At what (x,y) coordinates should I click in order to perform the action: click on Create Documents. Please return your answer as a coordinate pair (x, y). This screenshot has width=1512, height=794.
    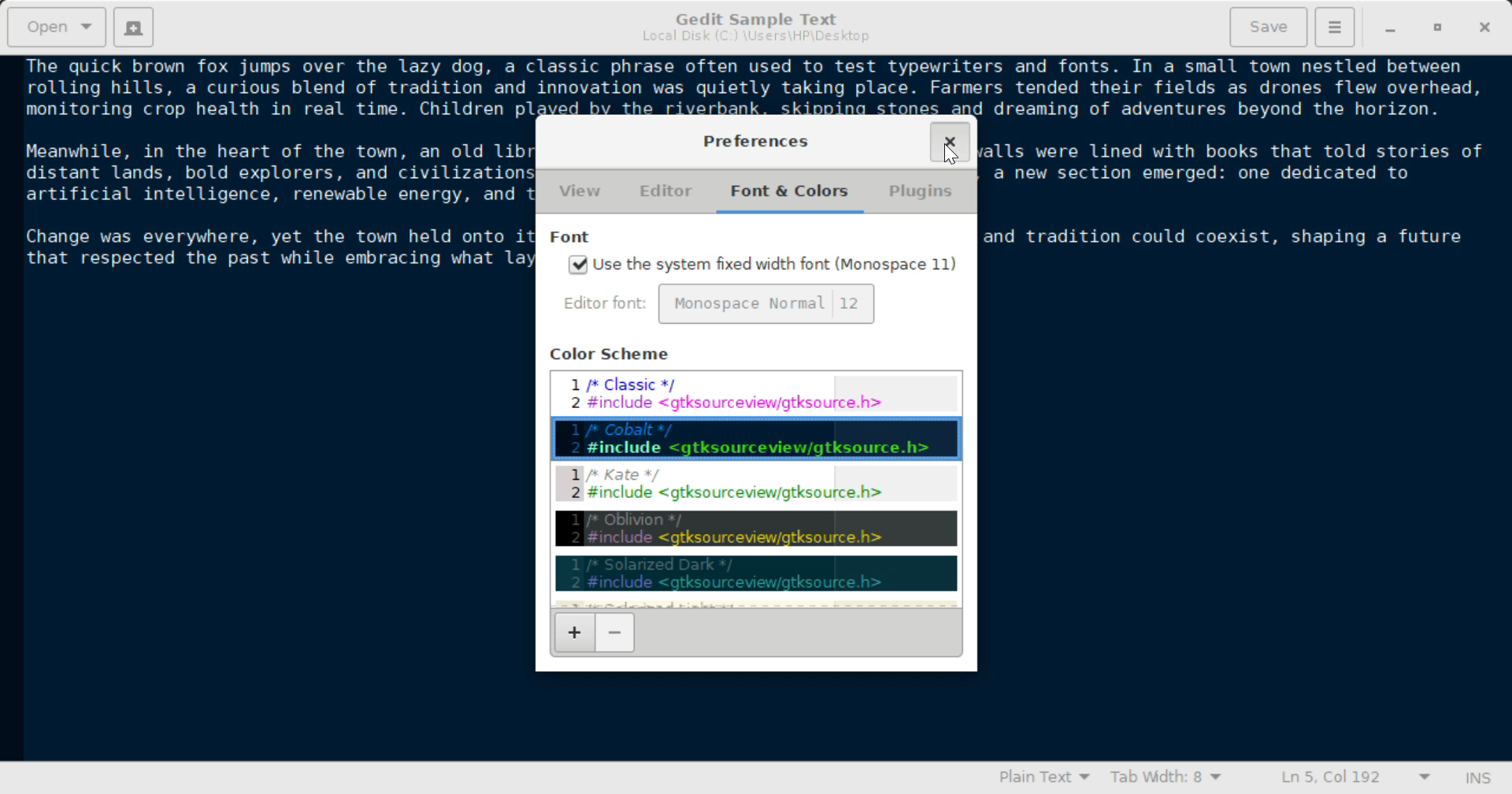
    Looking at the image, I should click on (134, 25).